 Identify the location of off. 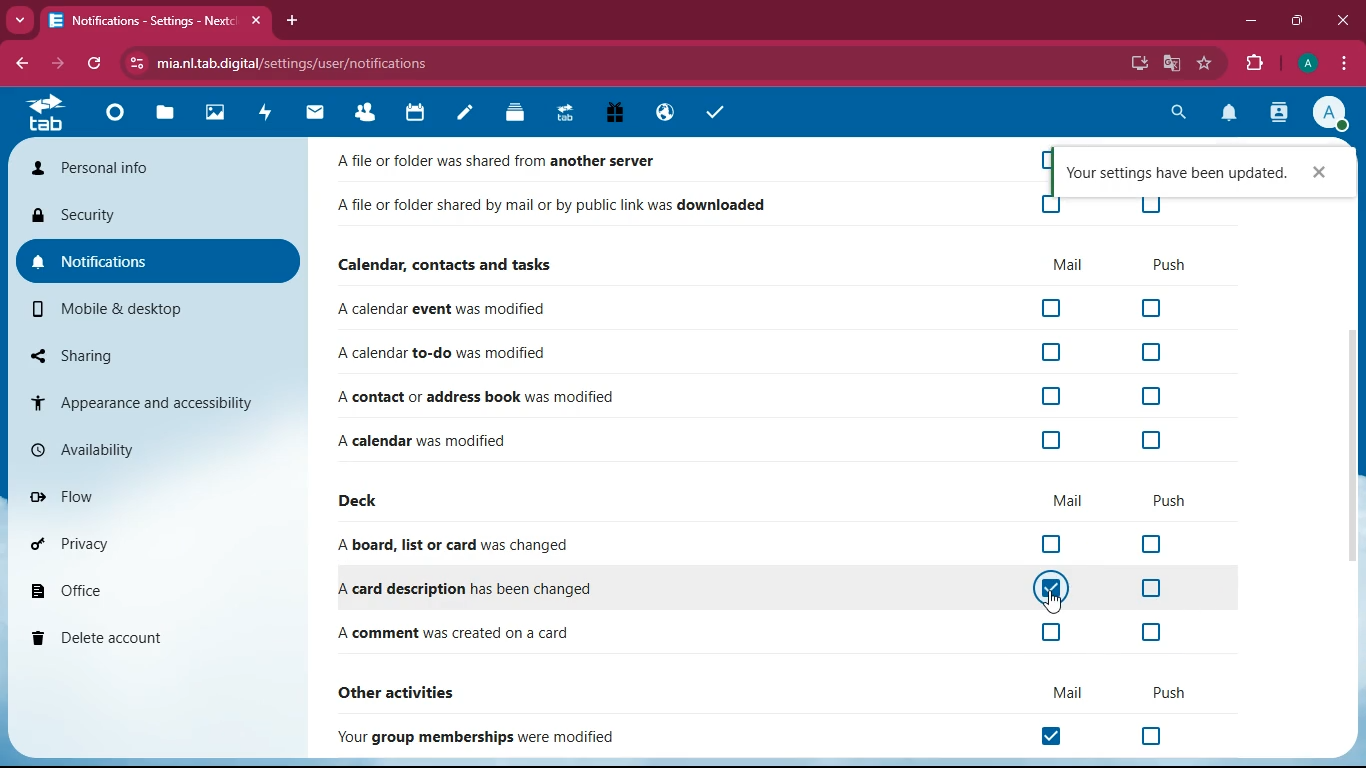
(1052, 309).